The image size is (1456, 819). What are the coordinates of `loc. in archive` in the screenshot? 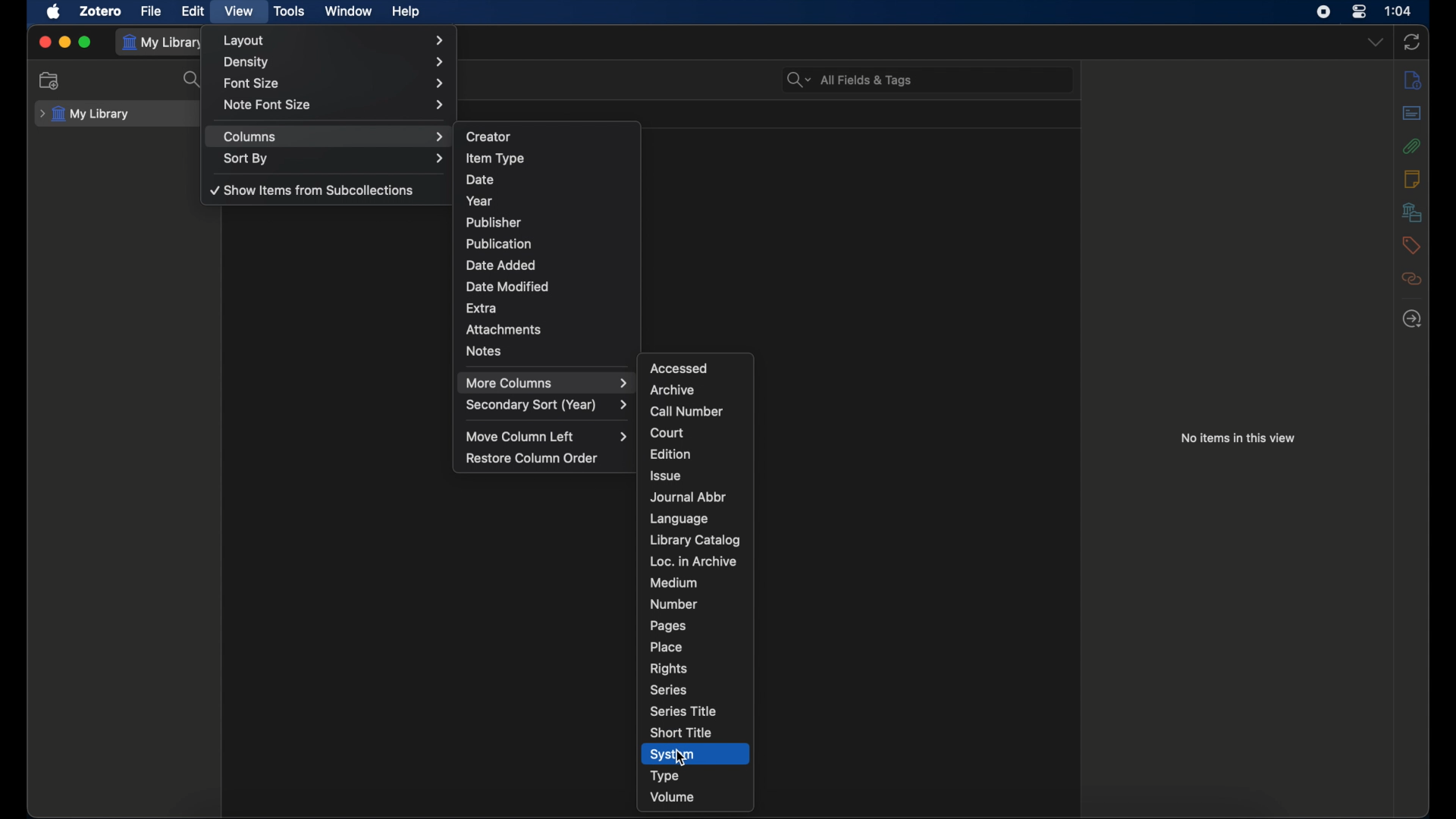 It's located at (692, 561).